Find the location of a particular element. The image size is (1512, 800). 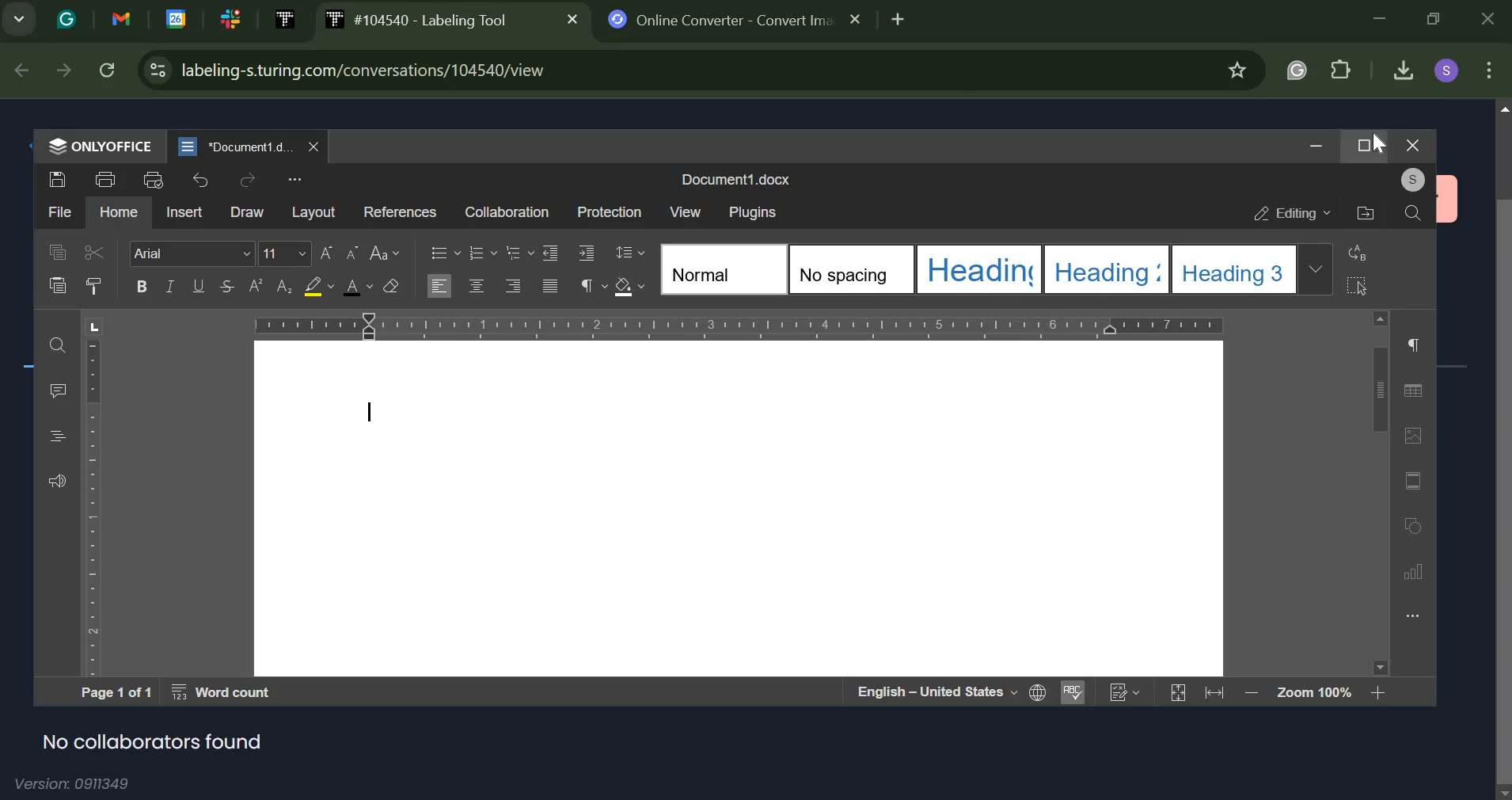

logo is located at coordinates (287, 19).